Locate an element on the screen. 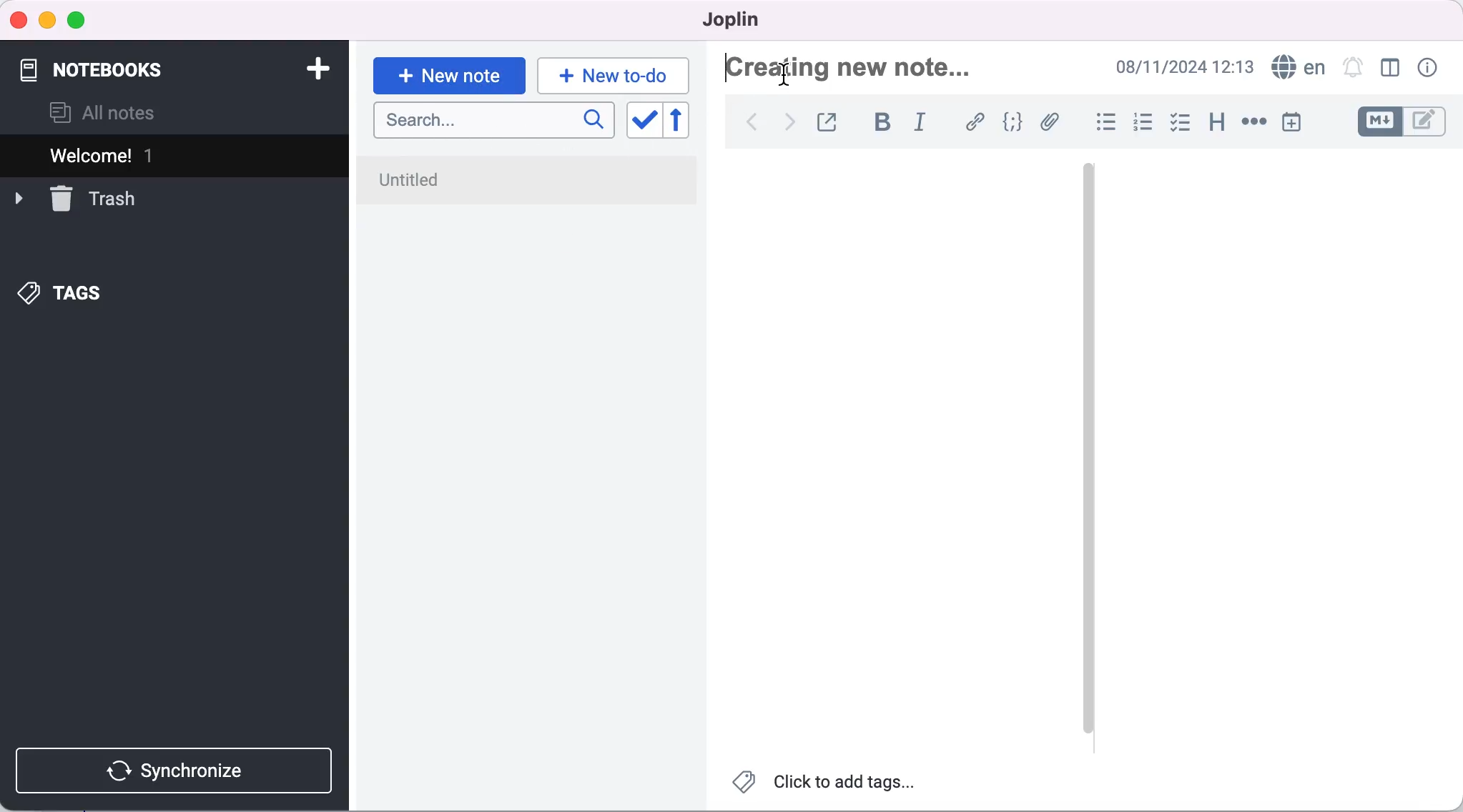  joplin is located at coordinates (741, 20).